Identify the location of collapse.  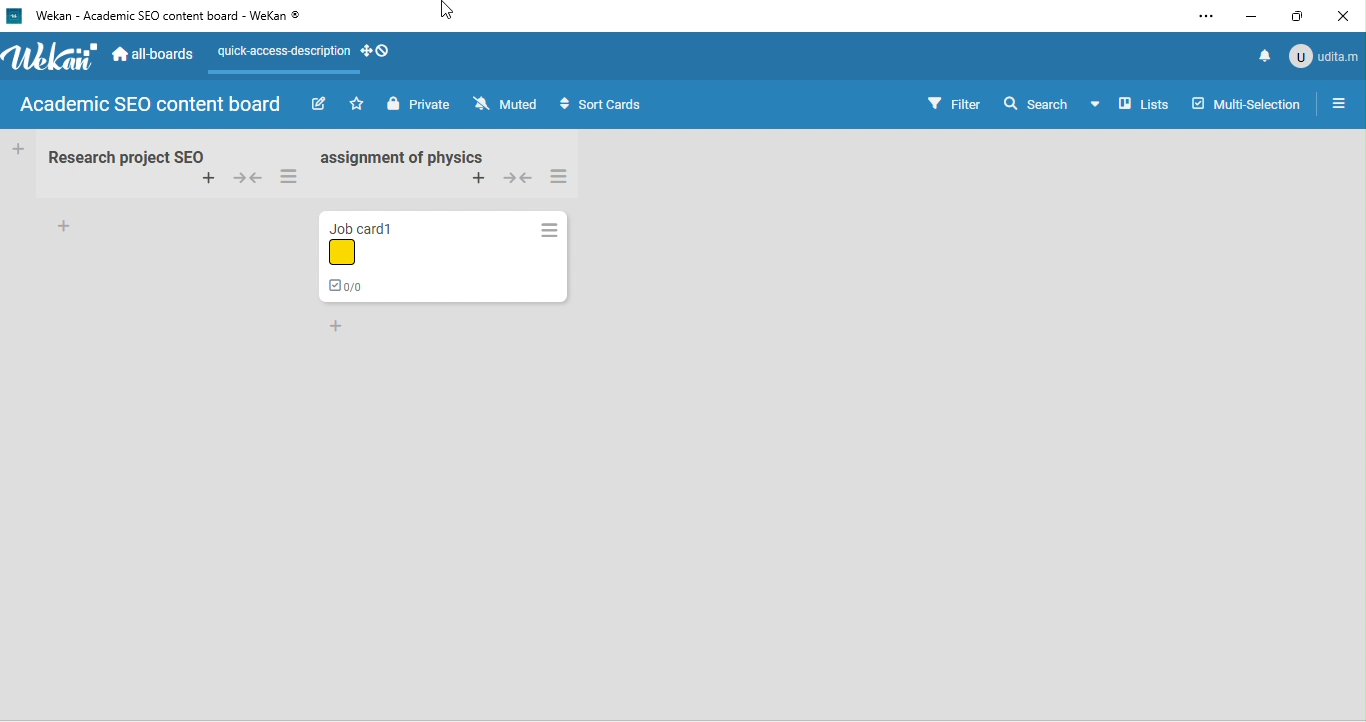
(522, 180).